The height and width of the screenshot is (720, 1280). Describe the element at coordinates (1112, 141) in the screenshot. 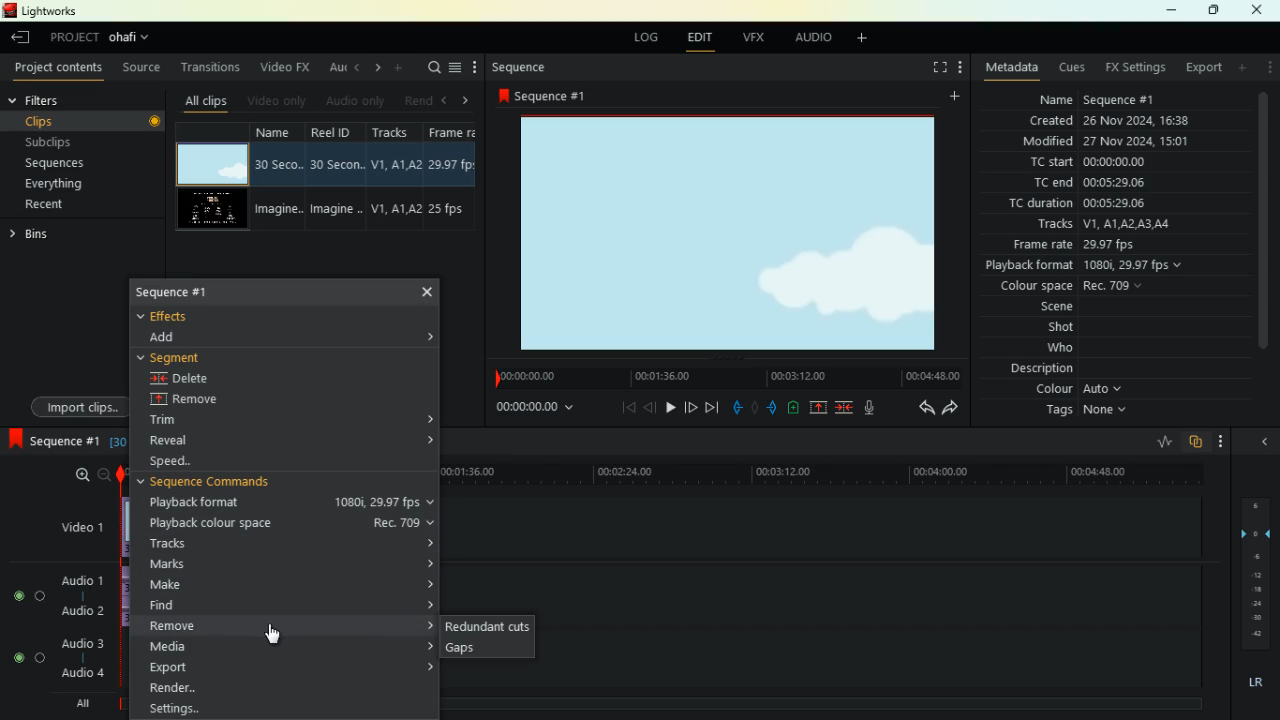

I see `modified 27 Nov 2024, 15:01` at that location.